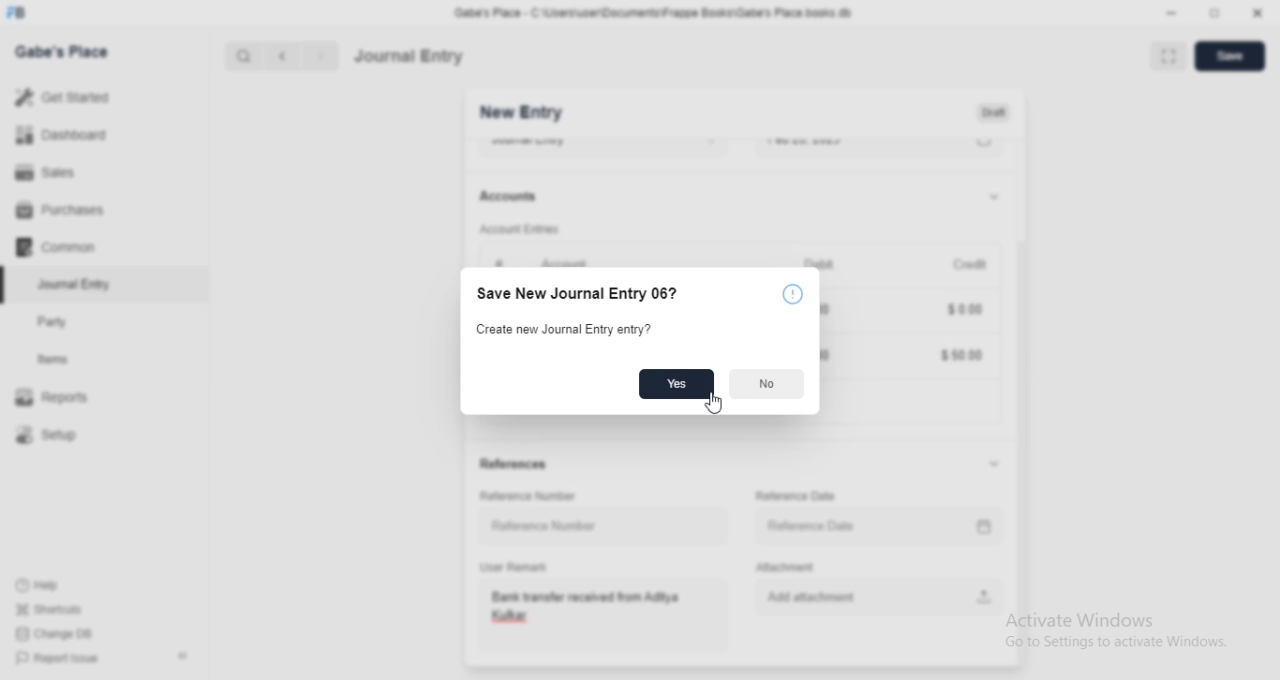  I want to click on Create new Journal Entry entry?, so click(563, 331).